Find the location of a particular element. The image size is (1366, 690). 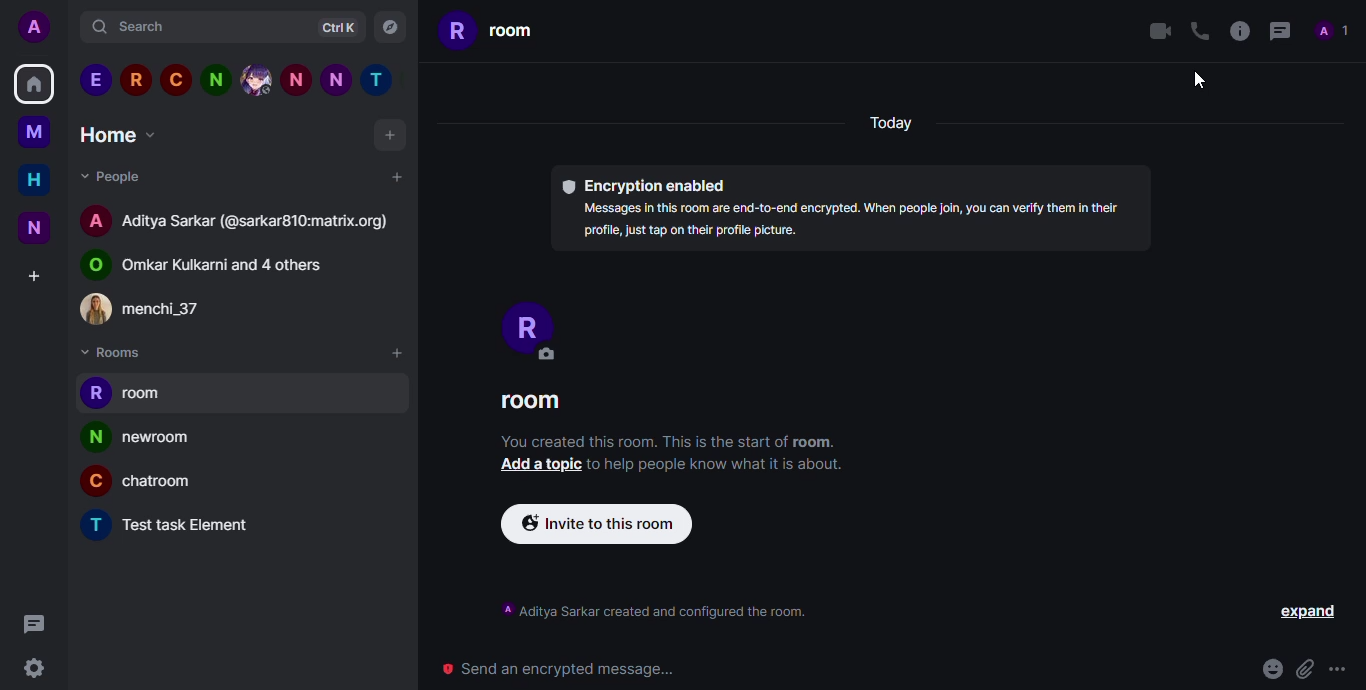

Contact shortcut is located at coordinates (172, 82).